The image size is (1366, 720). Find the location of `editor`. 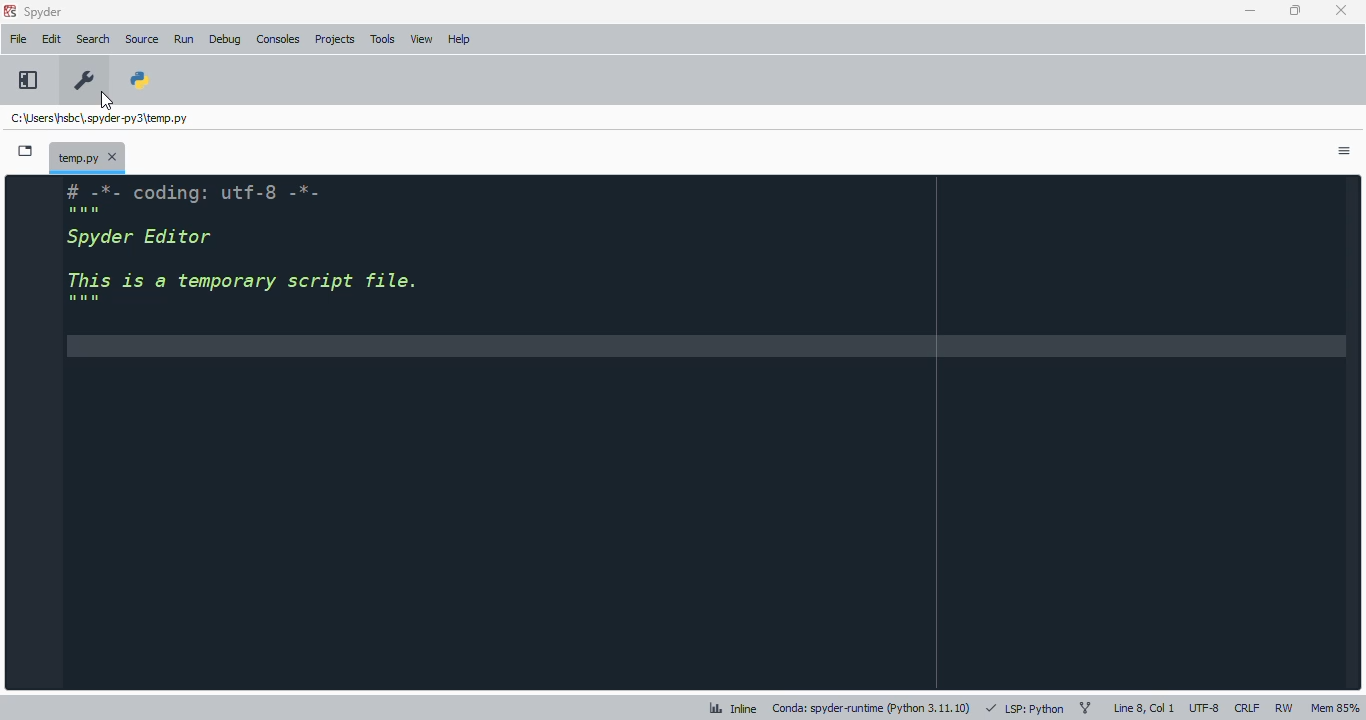

editor is located at coordinates (709, 432).